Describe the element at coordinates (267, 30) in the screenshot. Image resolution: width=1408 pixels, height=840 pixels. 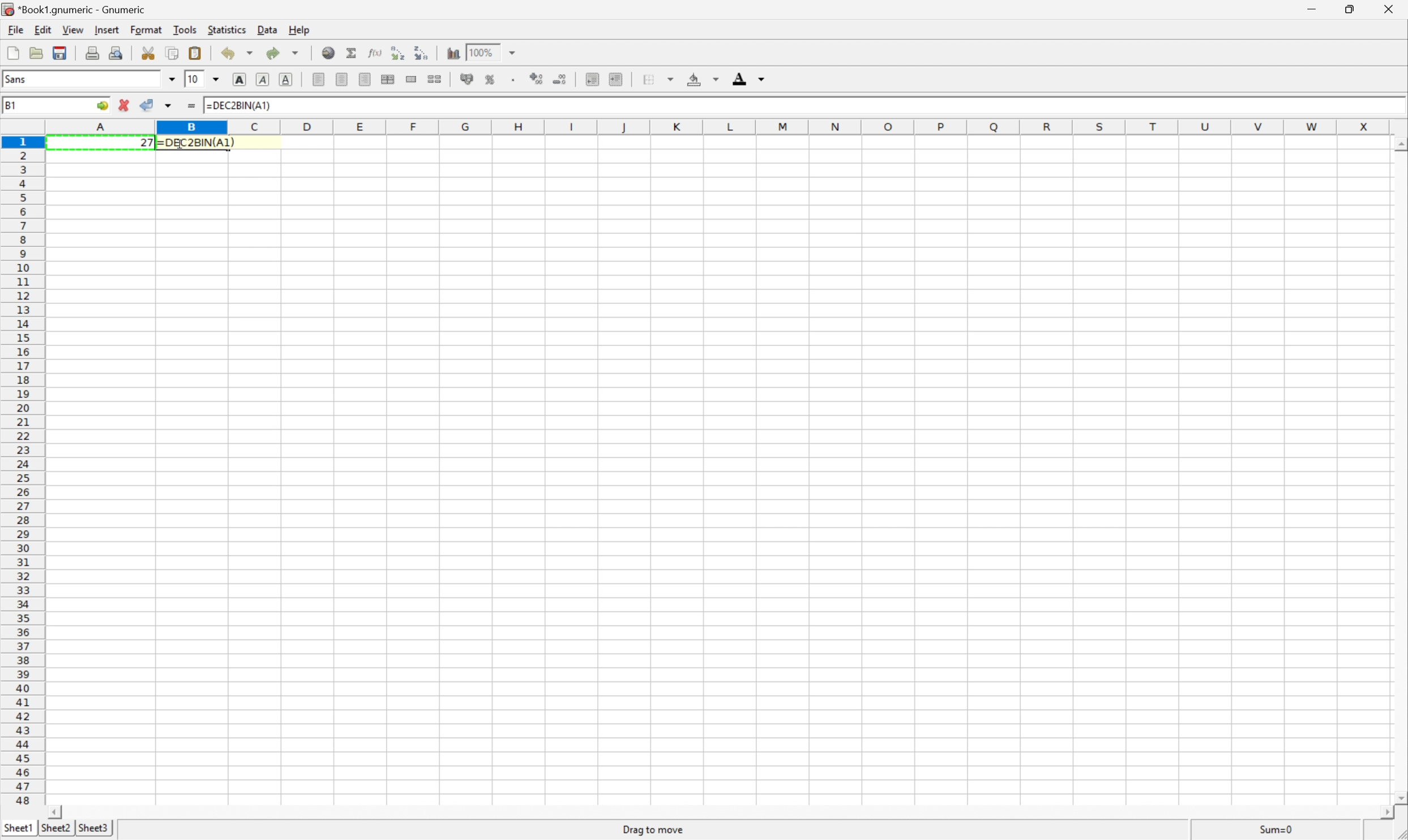
I see `Data` at that location.